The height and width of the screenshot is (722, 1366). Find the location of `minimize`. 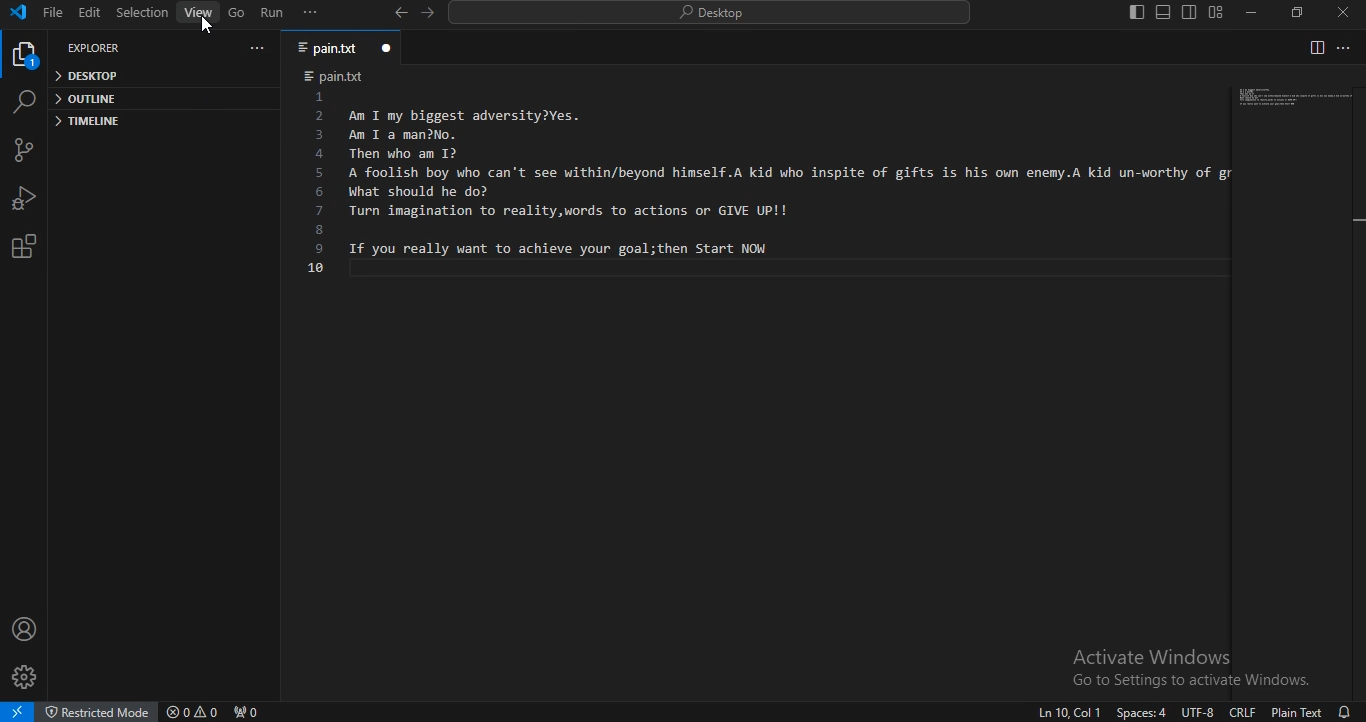

minimize is located at coordinates (1250, 13).